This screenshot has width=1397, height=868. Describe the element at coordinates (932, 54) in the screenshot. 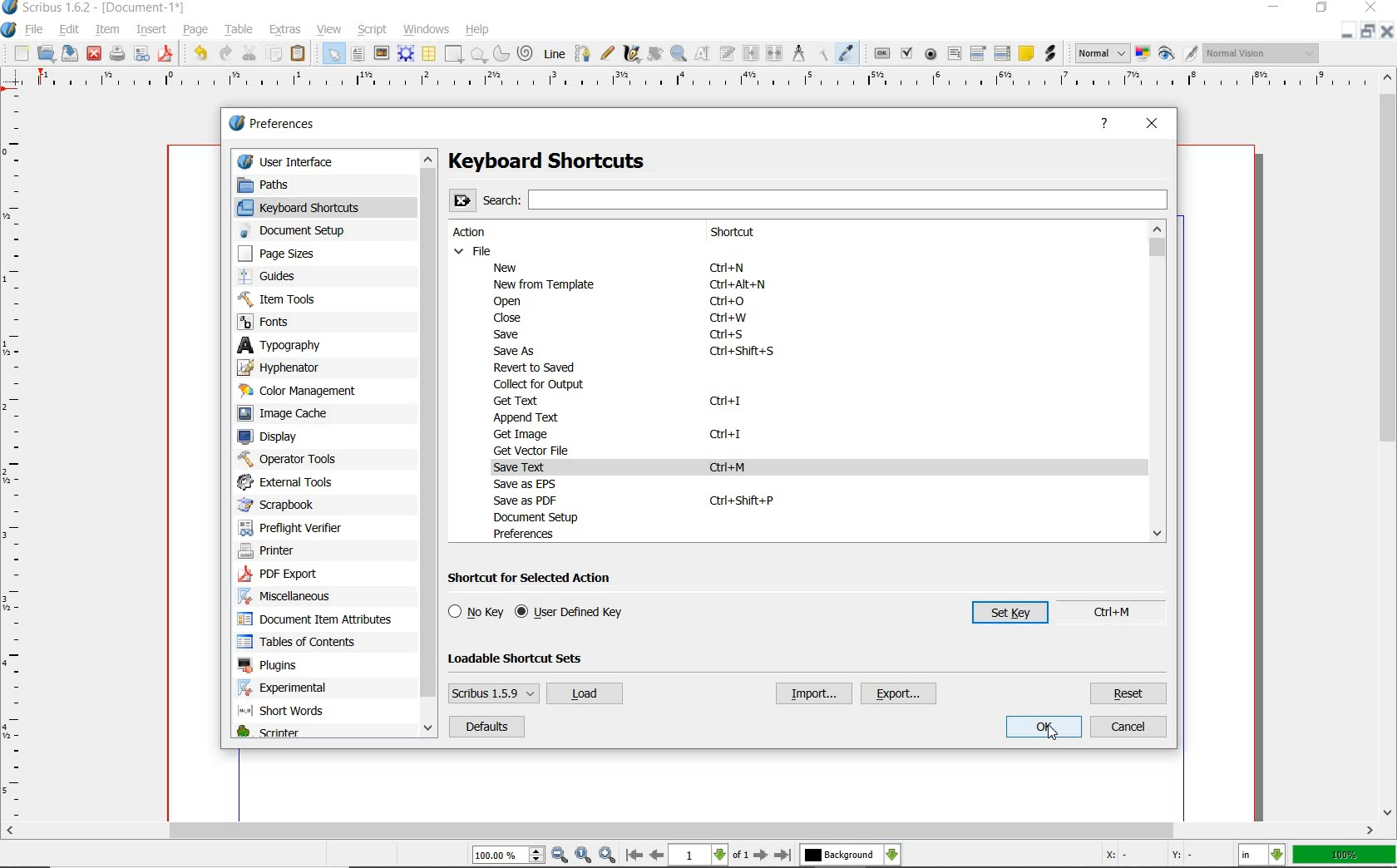

I see `pdf radio button` at that location.